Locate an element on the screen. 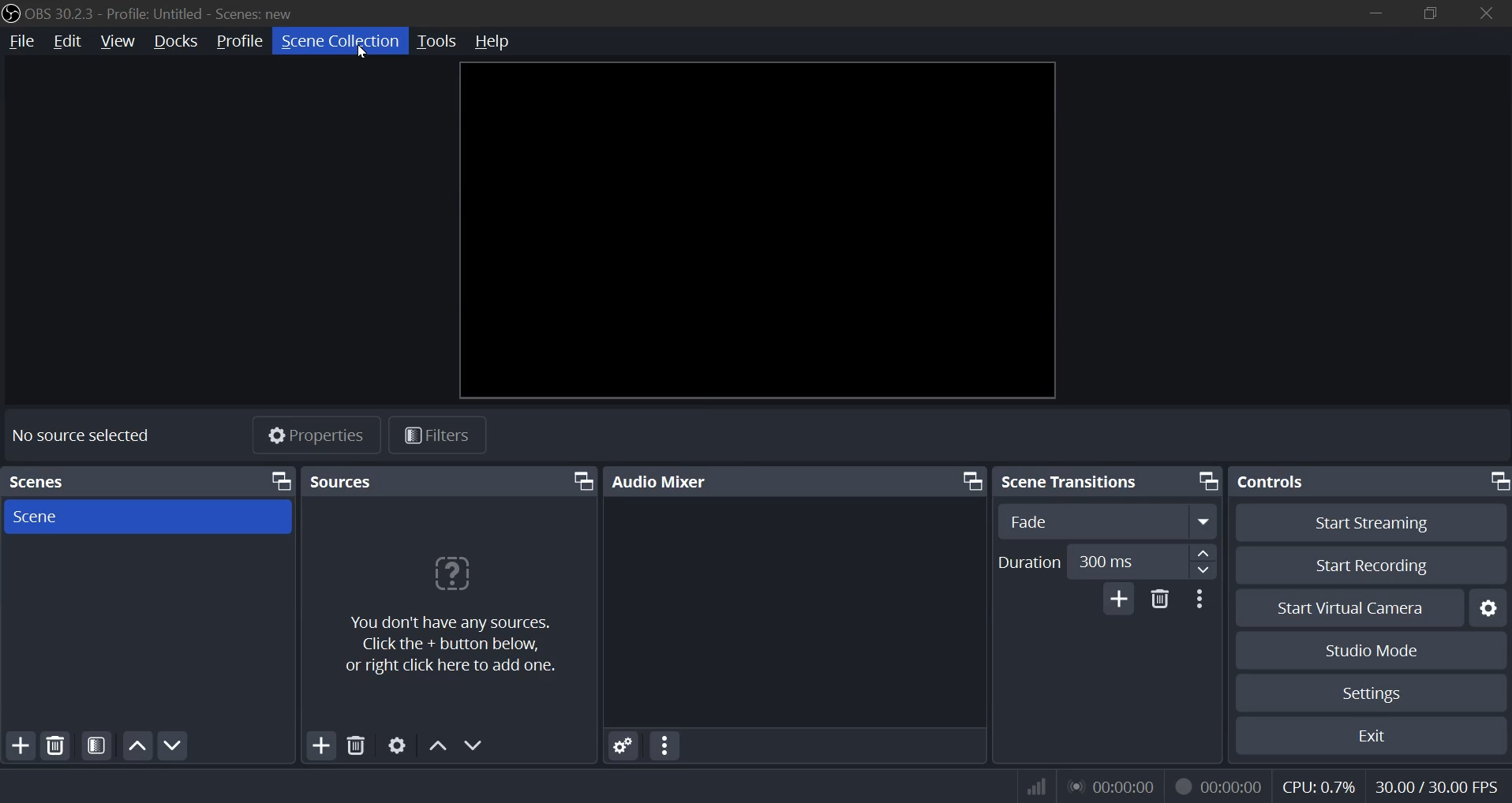  exit is located at coordinates (1371, 735).